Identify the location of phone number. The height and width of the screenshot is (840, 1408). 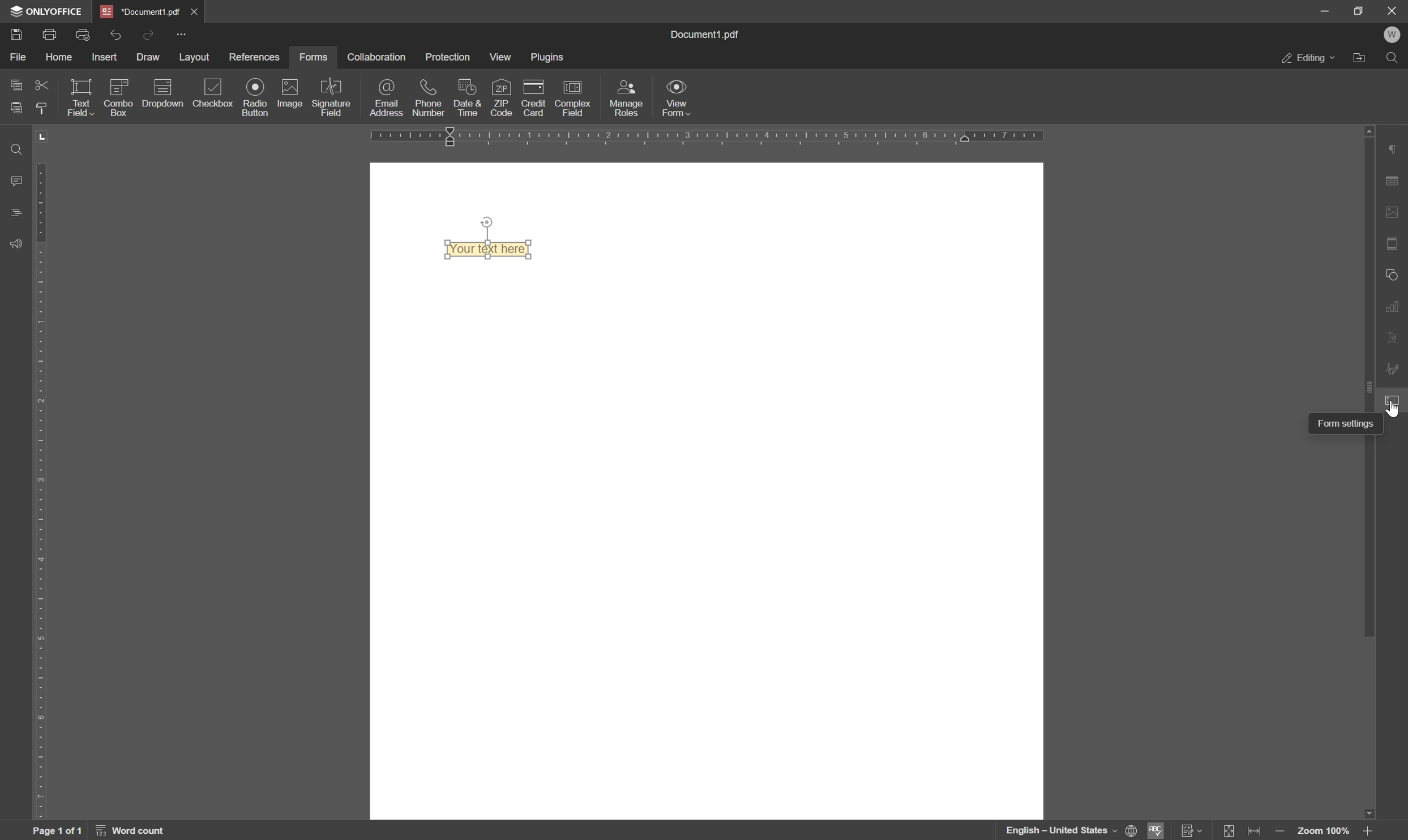
(427, 99).